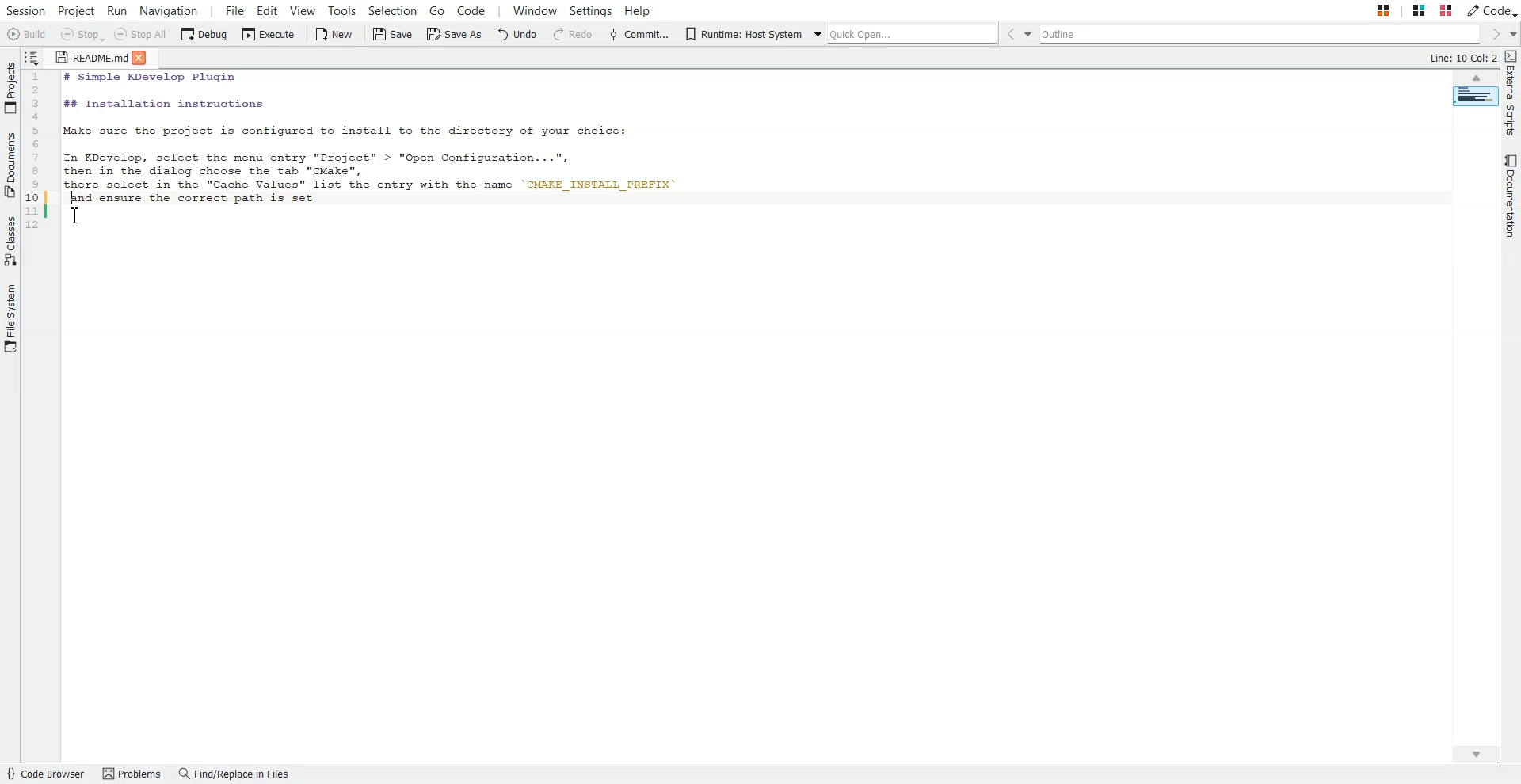  Describe the element at coordinates (383, 186) in the screenshot. I see `there select is the "Cache Values" list the entry with the name 'CMAKE_INSTALL_PREFIX'` at that location.